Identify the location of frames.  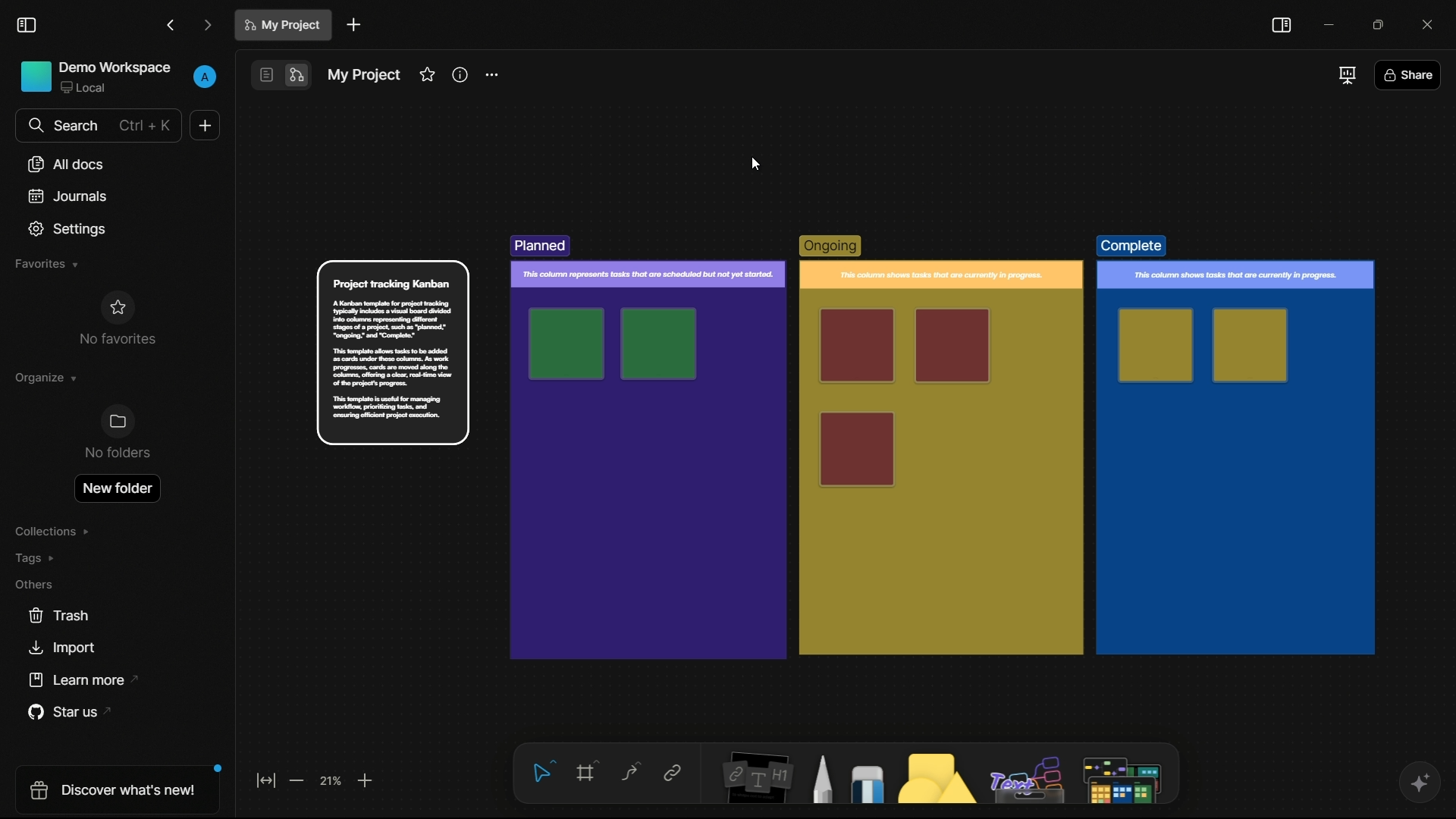
(589, 770).